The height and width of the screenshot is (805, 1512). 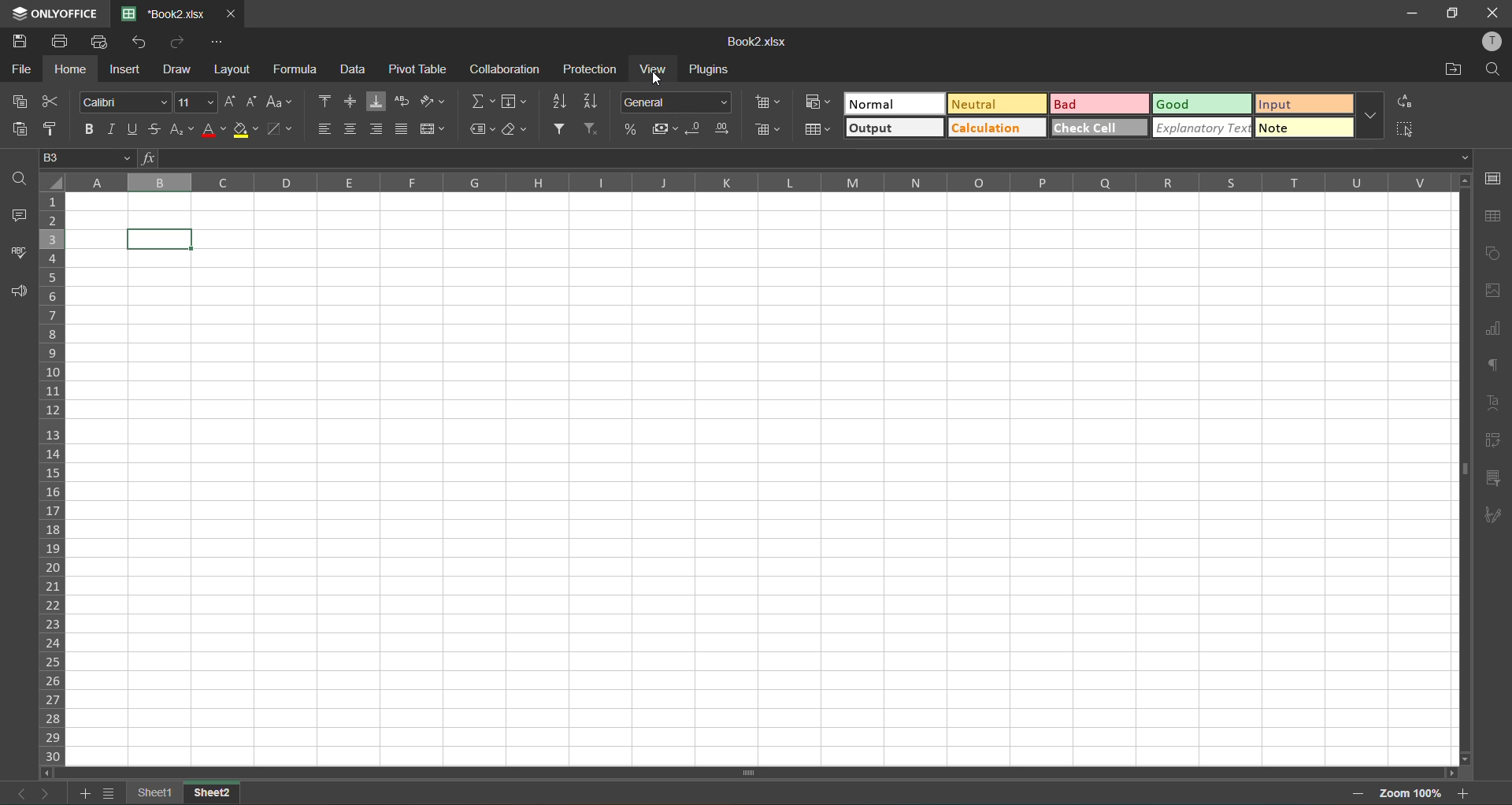 I want to click on open location, so click(x=1454, y=69).